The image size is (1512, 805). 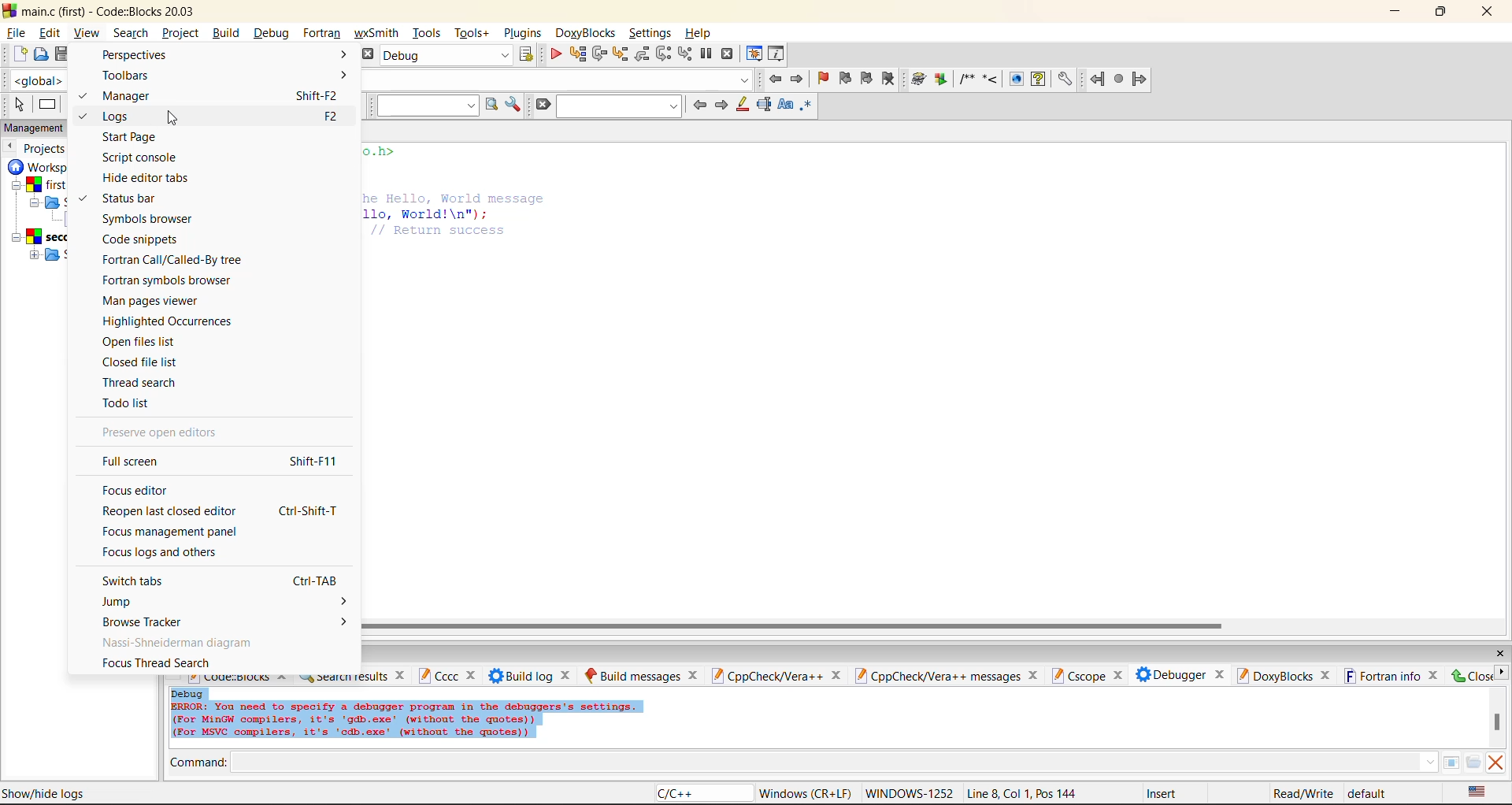 What do you see at coordinates (50, 32) in the screenshot?
I see `edit` at bounding box center [50, 32].